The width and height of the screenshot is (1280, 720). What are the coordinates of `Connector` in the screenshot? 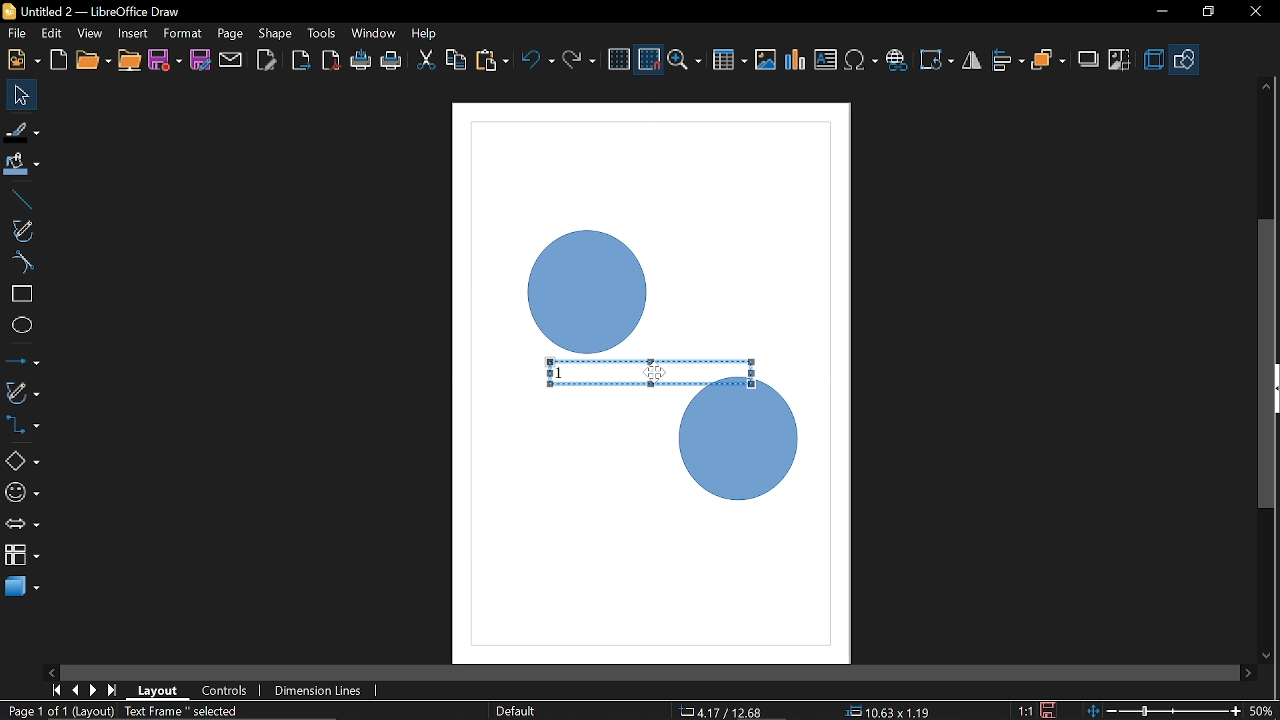 It's located at (22, 424).